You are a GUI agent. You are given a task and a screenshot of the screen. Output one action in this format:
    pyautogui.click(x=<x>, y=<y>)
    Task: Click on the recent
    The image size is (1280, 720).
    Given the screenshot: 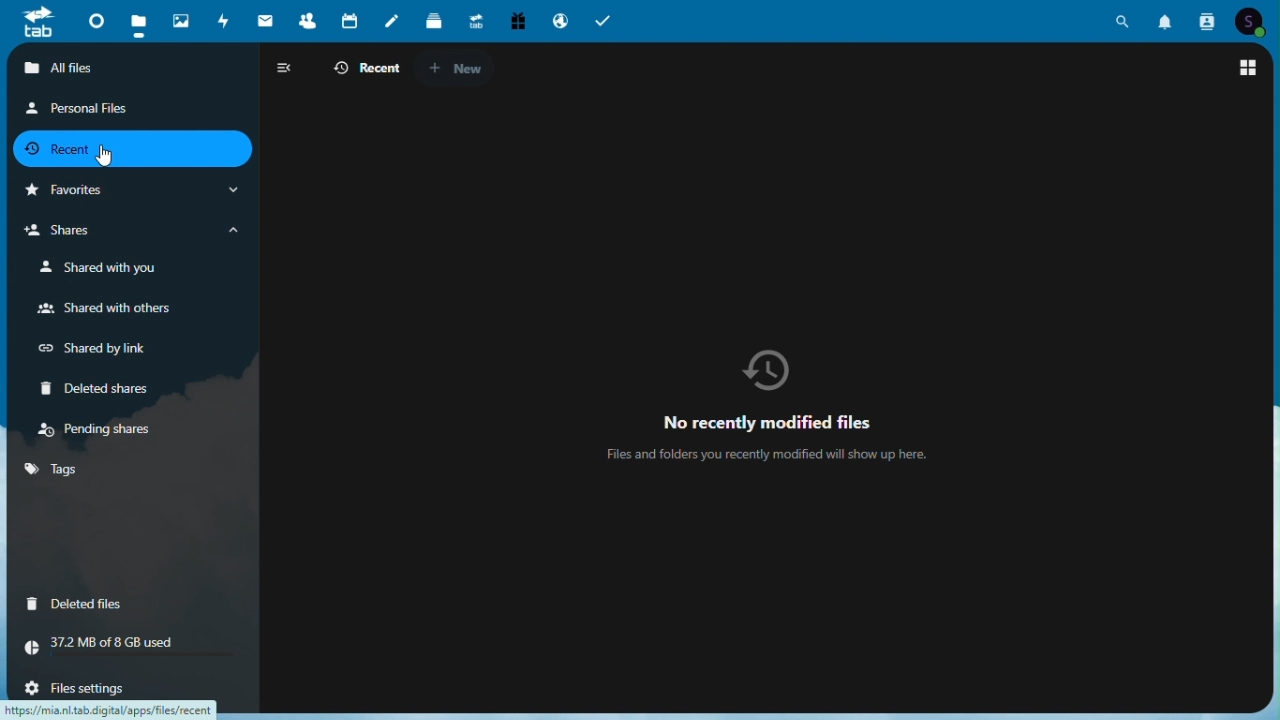 What is the action you would take?
    pyautogui.click(x=364, y=69)
    